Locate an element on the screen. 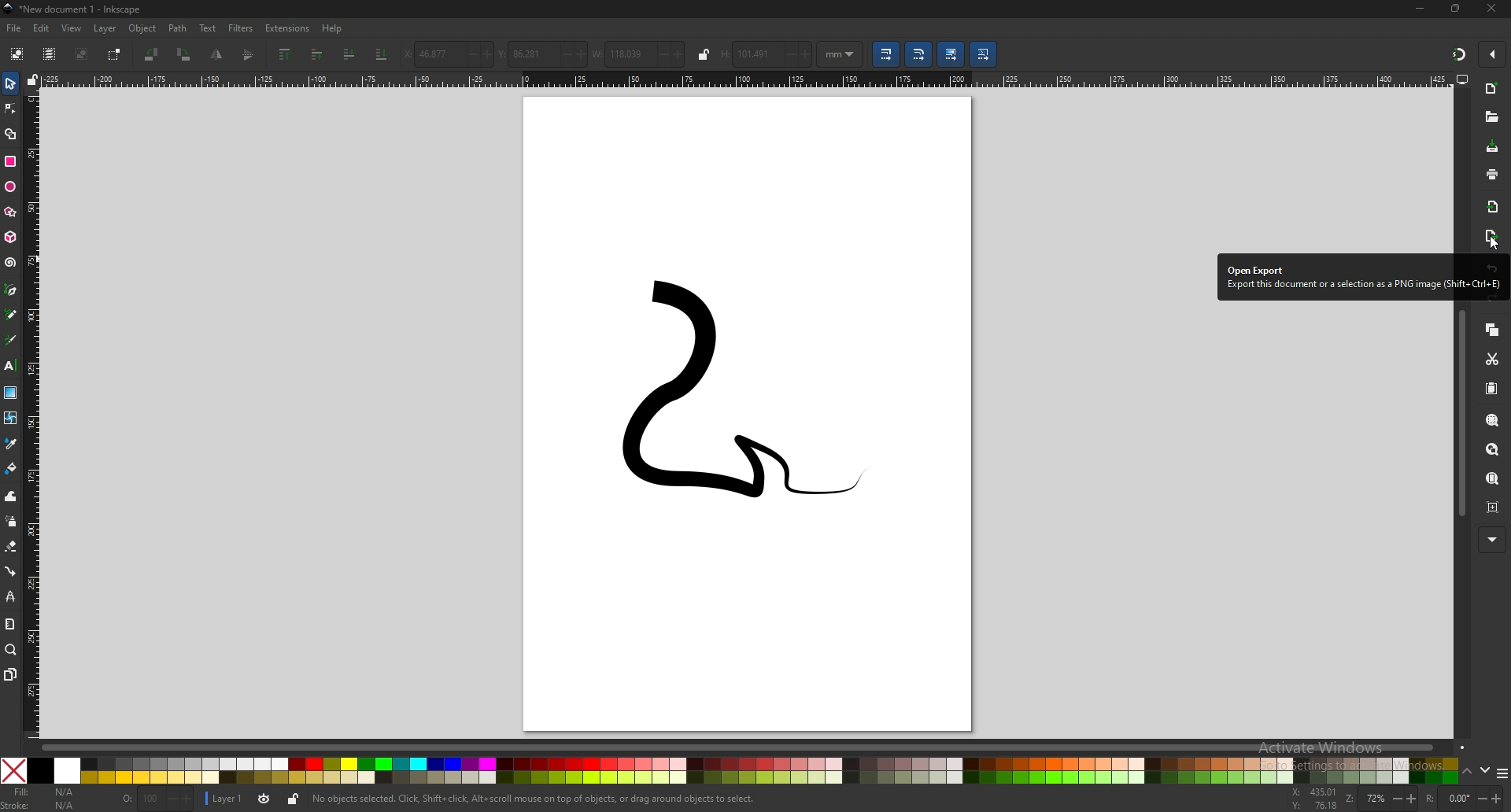 Image resolution: width=1511 pixels, height=812 pixels. rotation is located at coordinates (1458, 797).